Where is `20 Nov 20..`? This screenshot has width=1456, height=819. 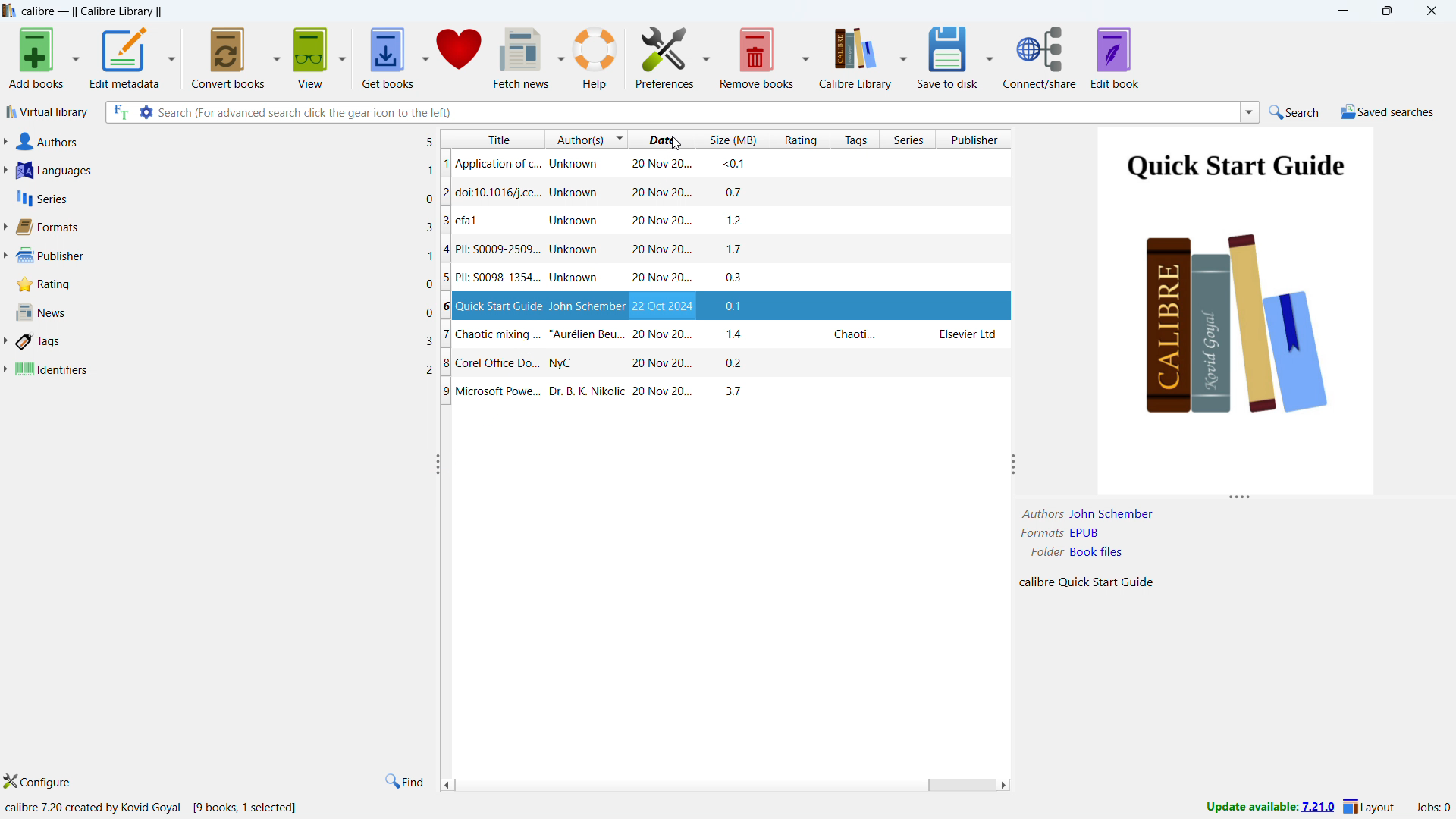 20 Nov 20.. is located at coordinates (658, 280).